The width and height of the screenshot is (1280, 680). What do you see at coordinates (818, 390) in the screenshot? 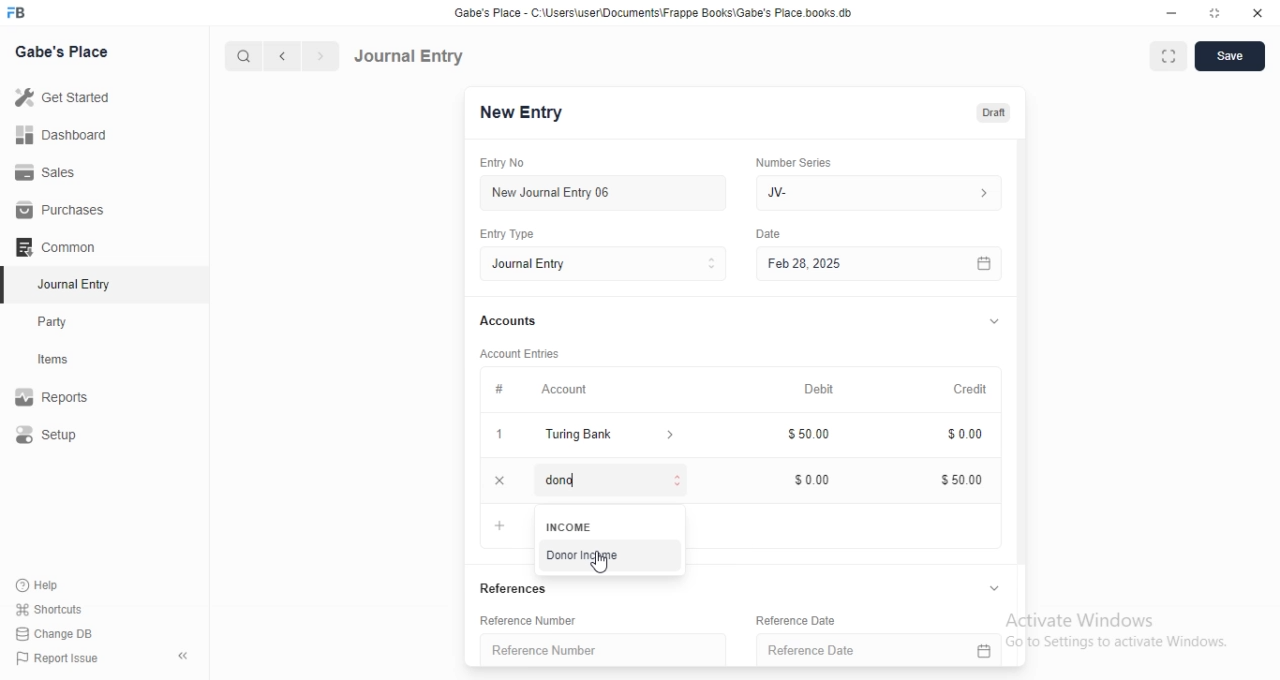
I see `Debit` at bounding box center [818, 390].